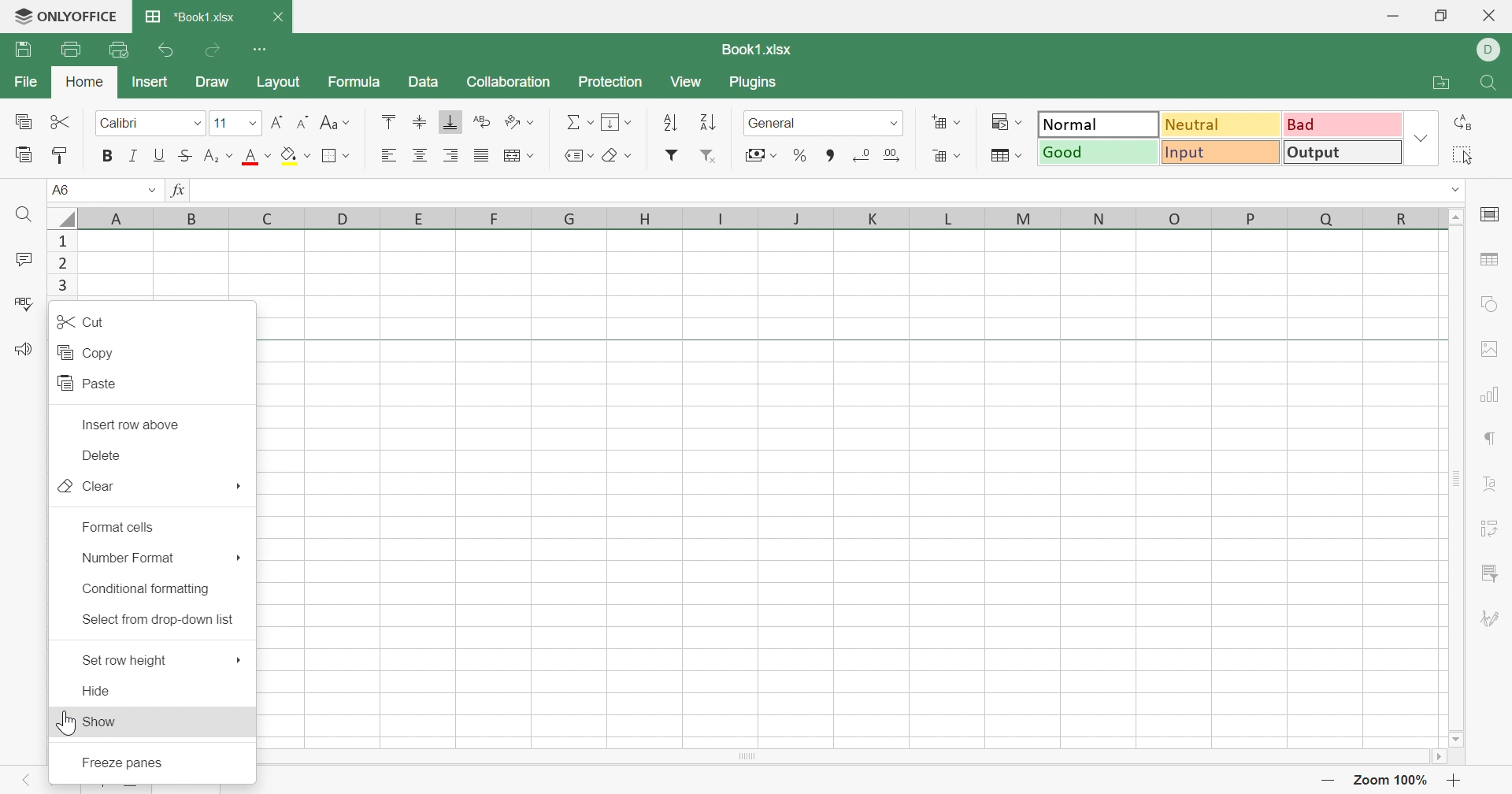 The width and height of the screenshot is (1512, 794). Describe the element at coordinates (948, 121) in the screenshot. I see `Insert cells` at that location.